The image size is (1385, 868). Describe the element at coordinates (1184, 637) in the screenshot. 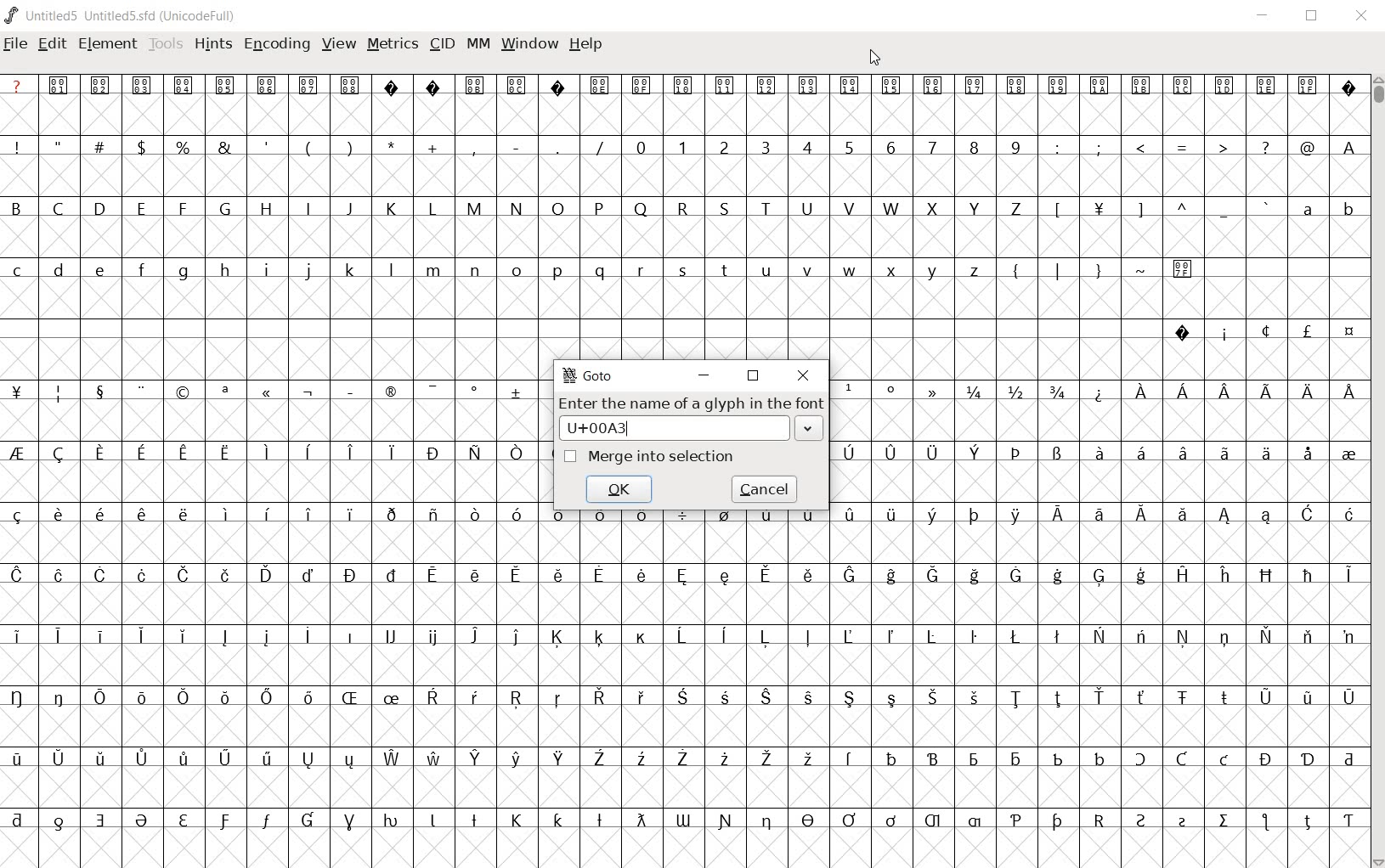

I see `Symbol` at that location.